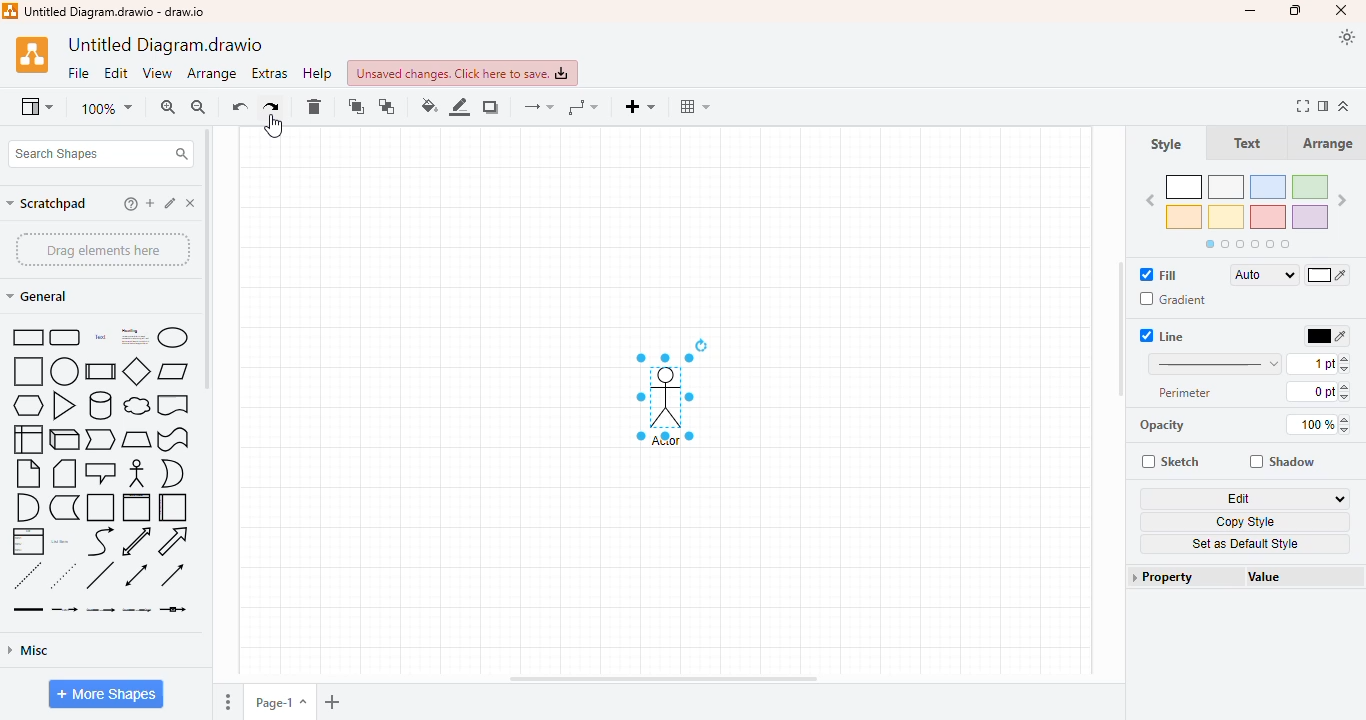 This screenshot has height=720, width=1366. Describe the element at coordinates (1328, 143) in the screenshot. I see `arrange` at that location.